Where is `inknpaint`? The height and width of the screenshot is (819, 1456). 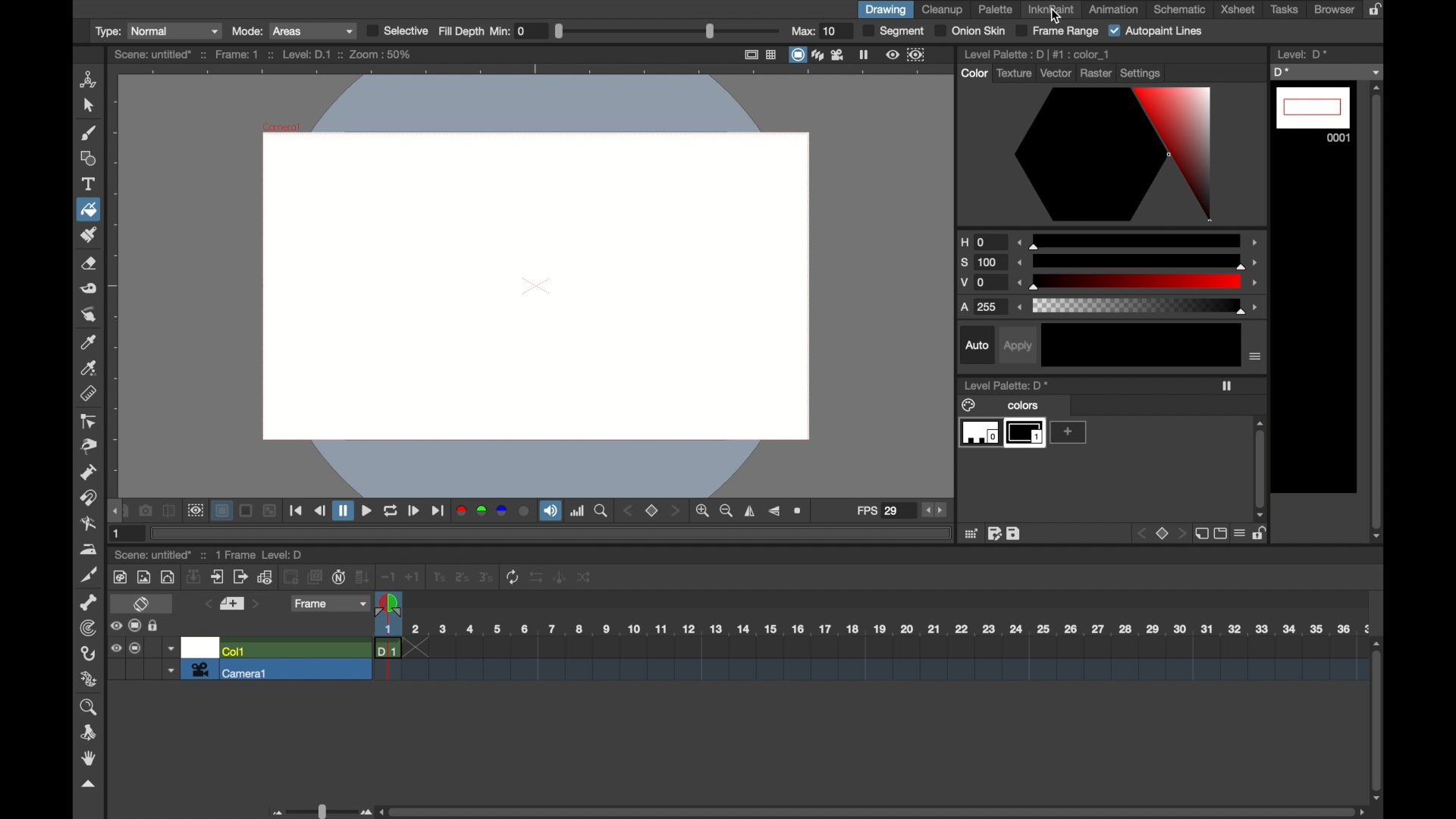 inknpaint is located at coordinates (1050, 9).